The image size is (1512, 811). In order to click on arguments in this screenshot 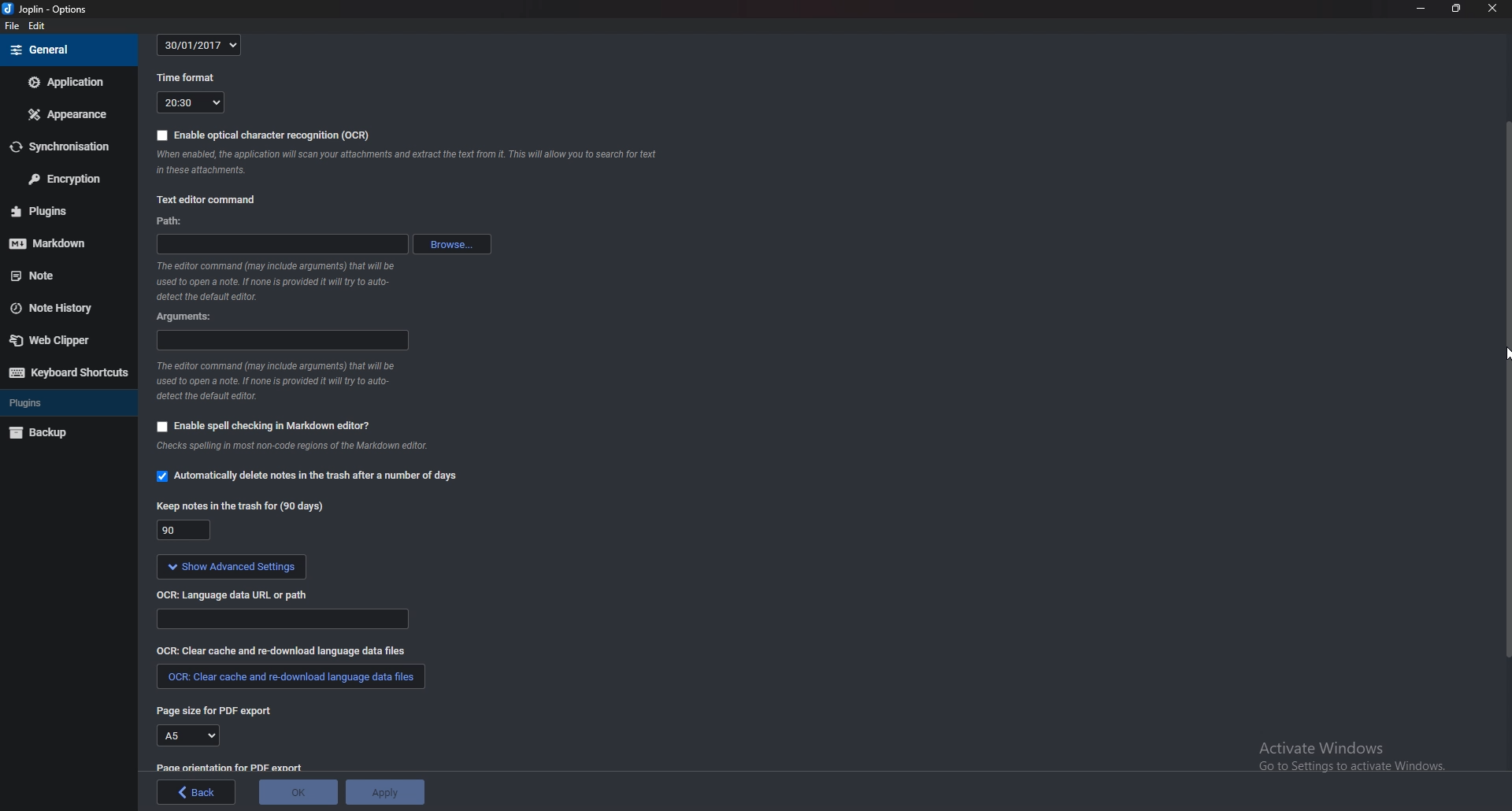, I will do `click(281, 341)`.